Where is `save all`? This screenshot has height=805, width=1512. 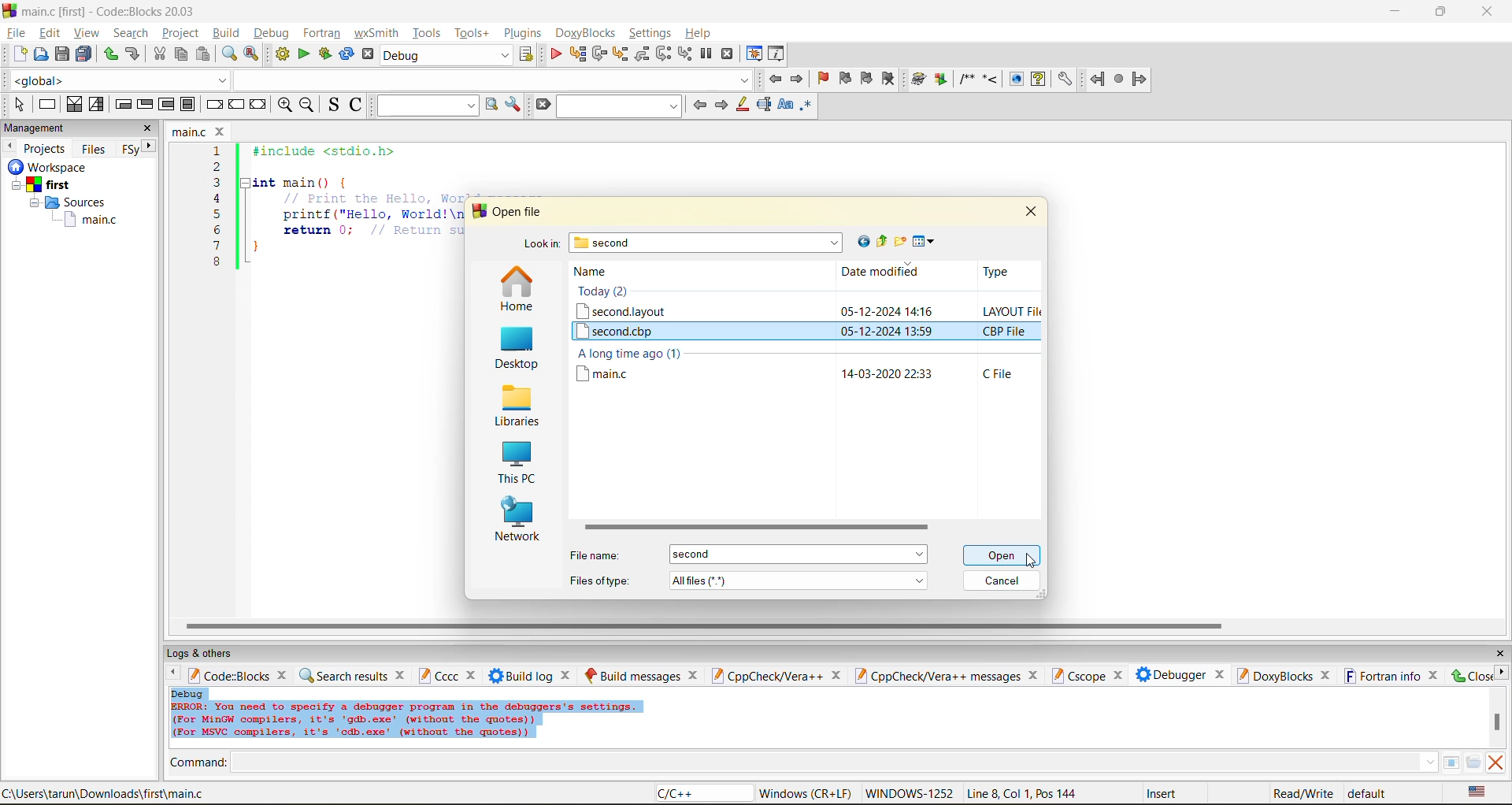
save all is located at coordinates (84, 54).